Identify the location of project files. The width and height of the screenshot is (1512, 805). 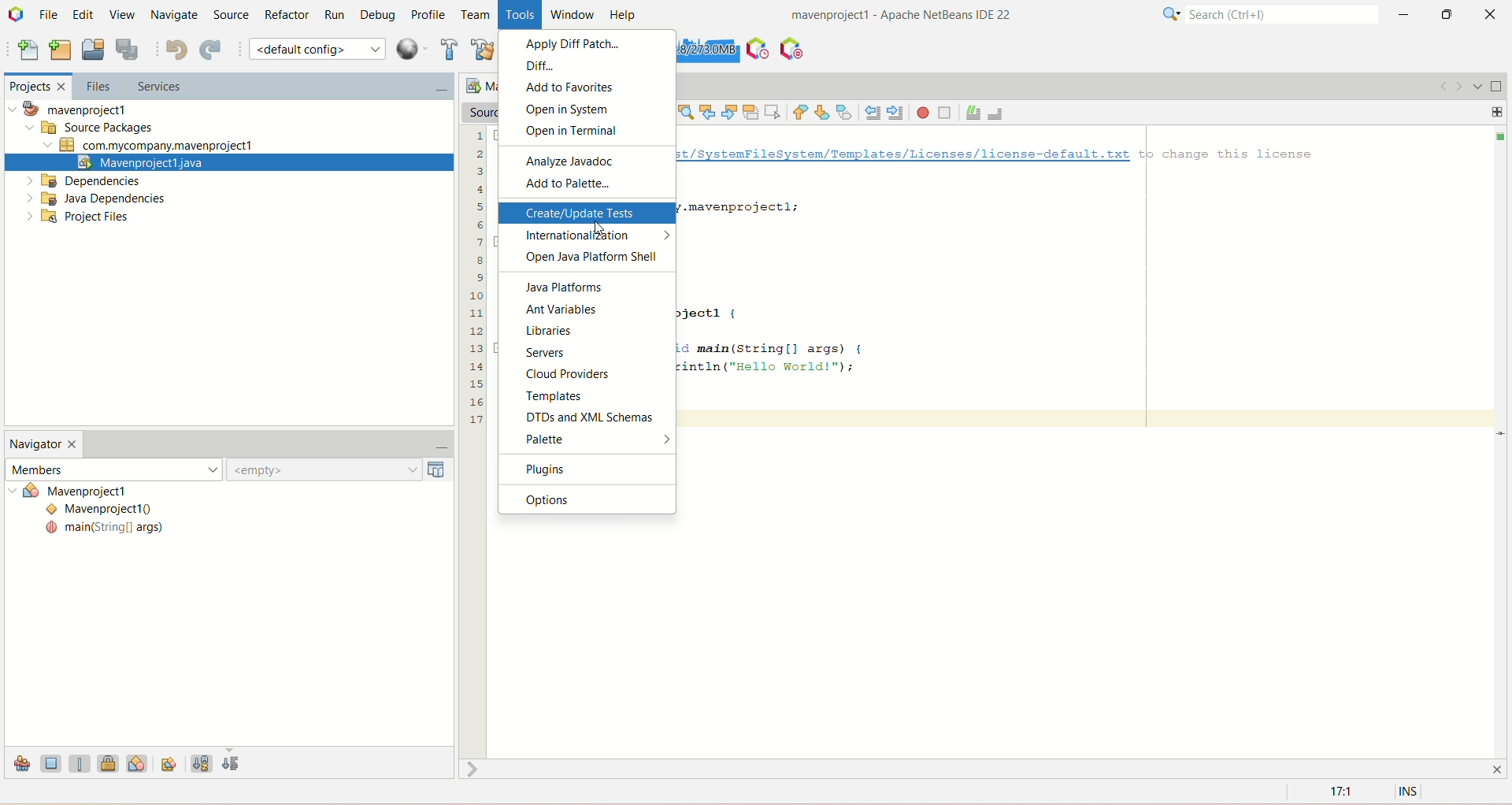
(80, 218).